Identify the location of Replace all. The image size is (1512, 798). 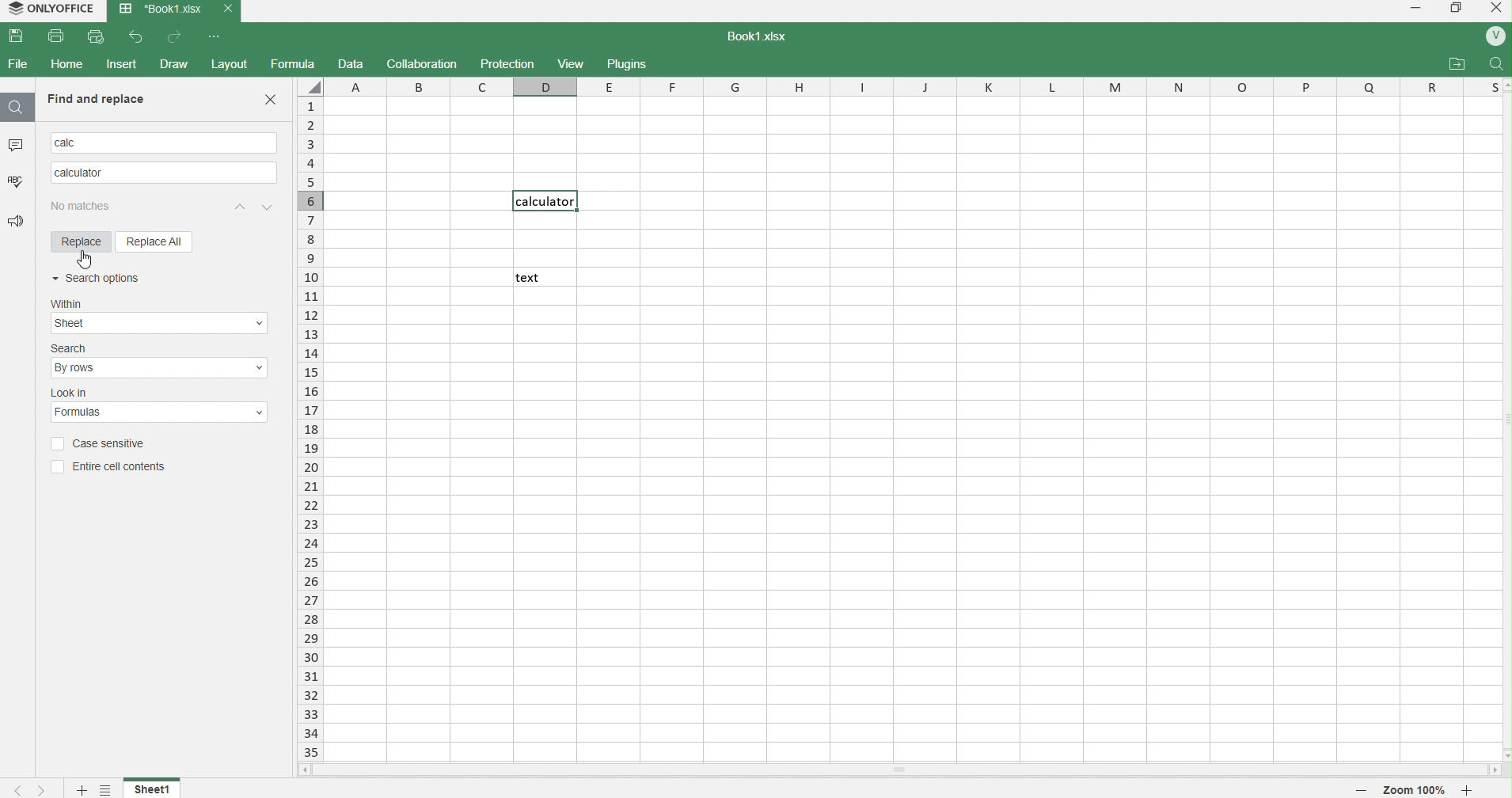
(154, 244).